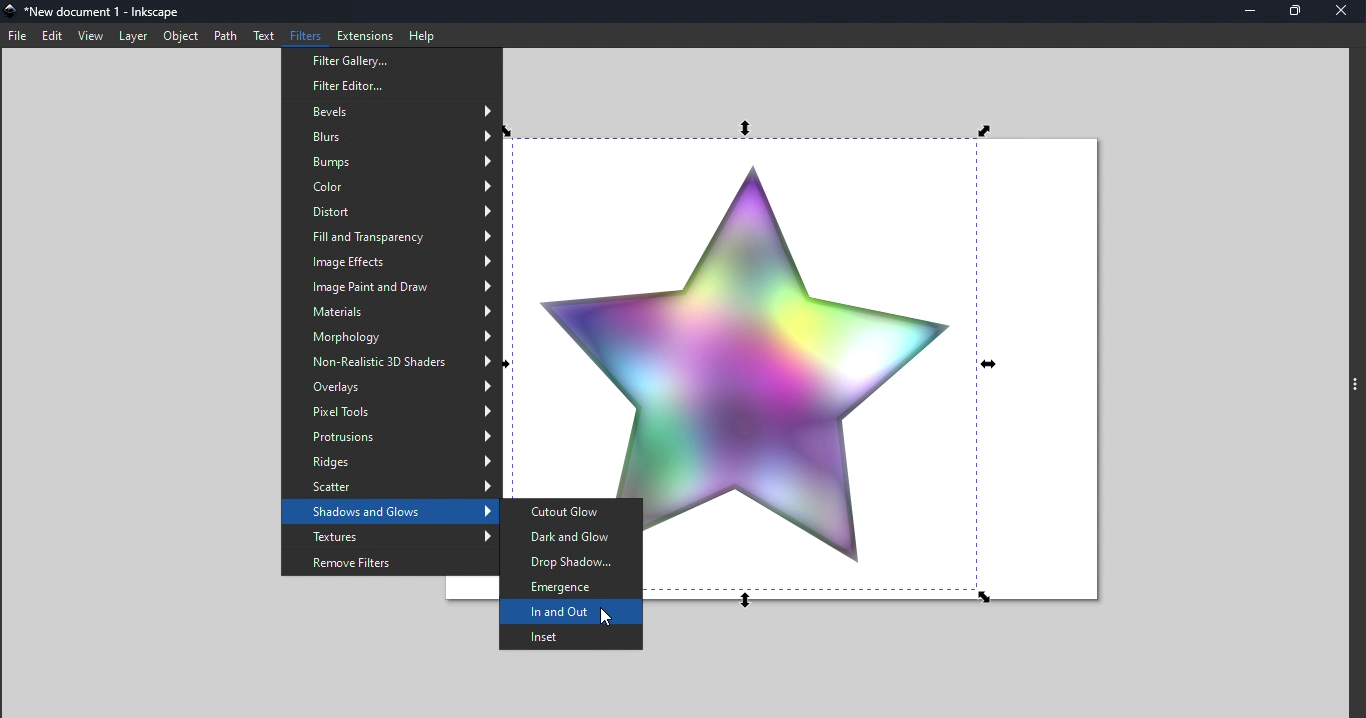  I want to click on Fill and transparency, so click(392, 239).